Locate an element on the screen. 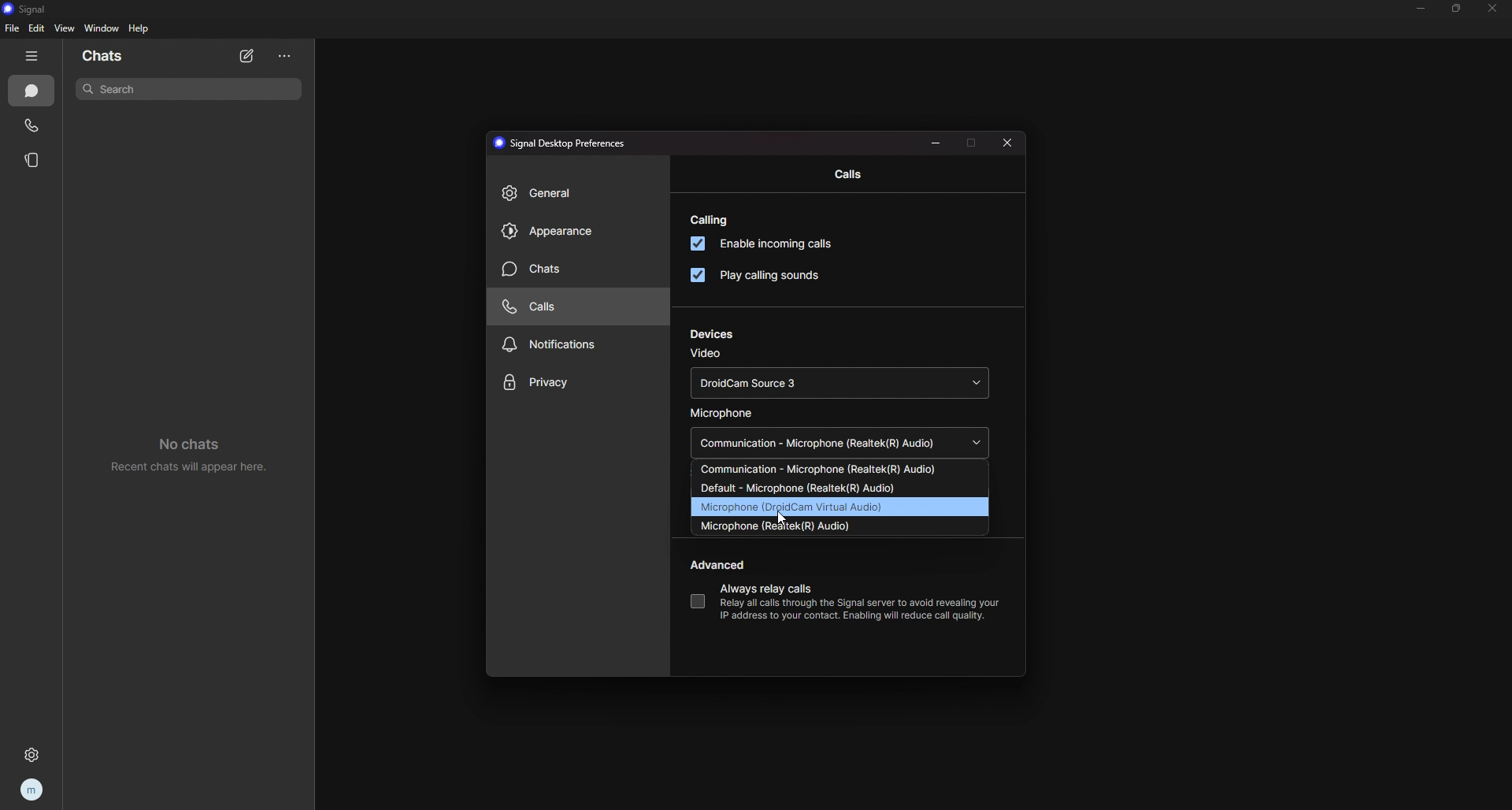 The height and width of the screenshot is (810, 1512). source is located at coordinates (841, 488).